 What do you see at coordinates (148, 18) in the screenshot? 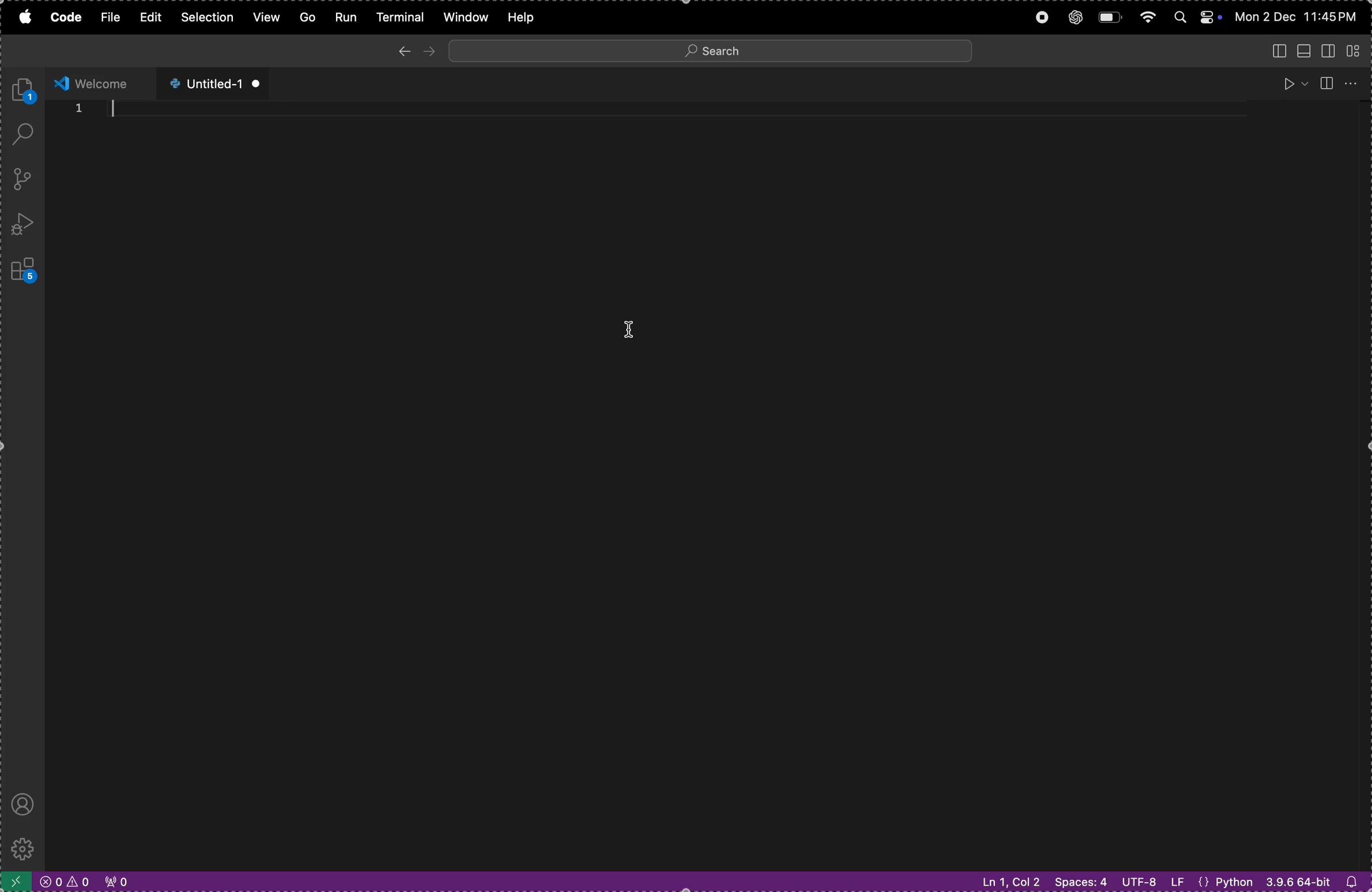
I see `edit` at bounding box center [148, 18].